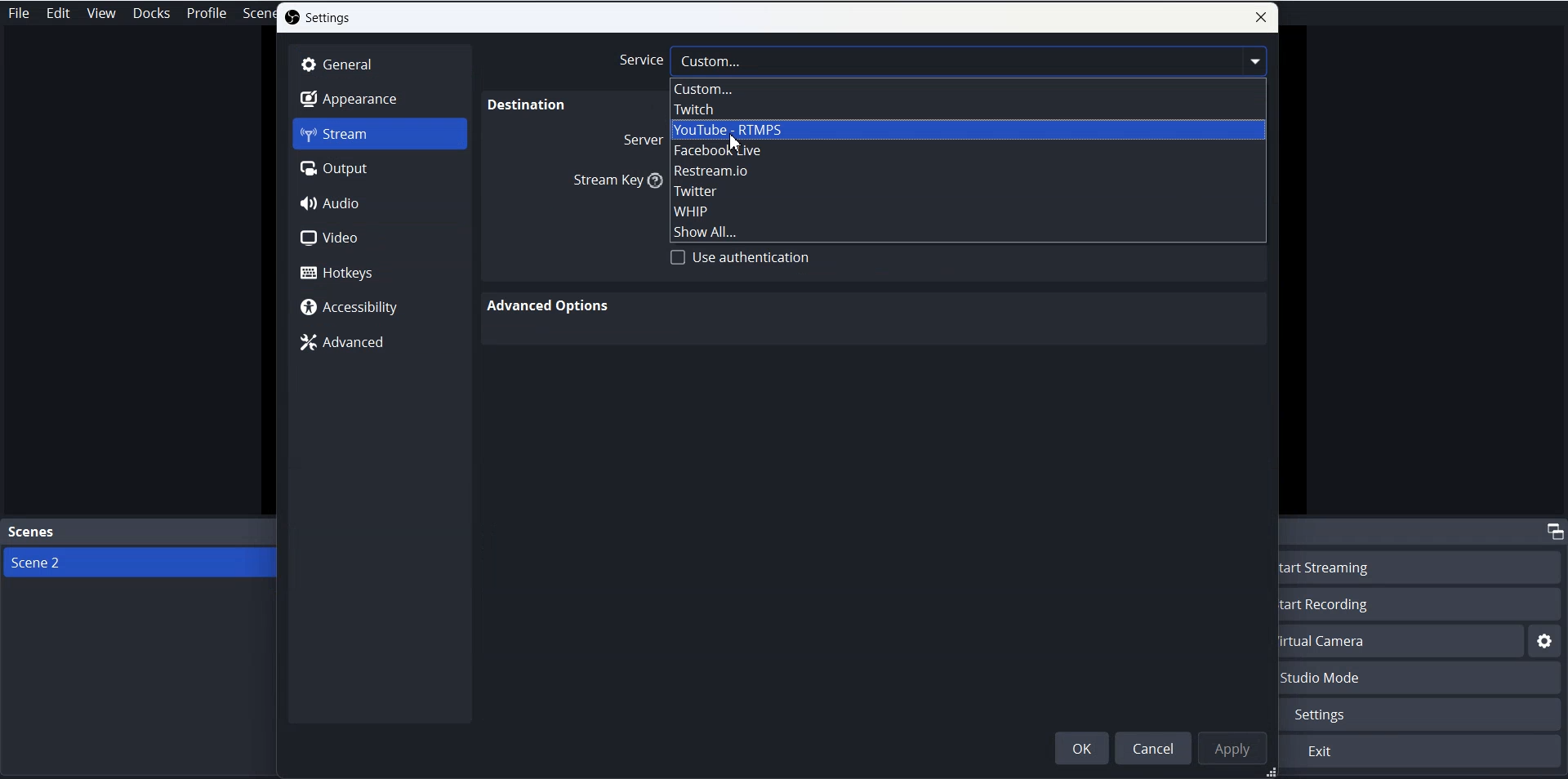 The height and width of the screenshot is (779, 1568). Describe the element at coordinates (256, 16) in the screenshot. I see `Scene` at that location.